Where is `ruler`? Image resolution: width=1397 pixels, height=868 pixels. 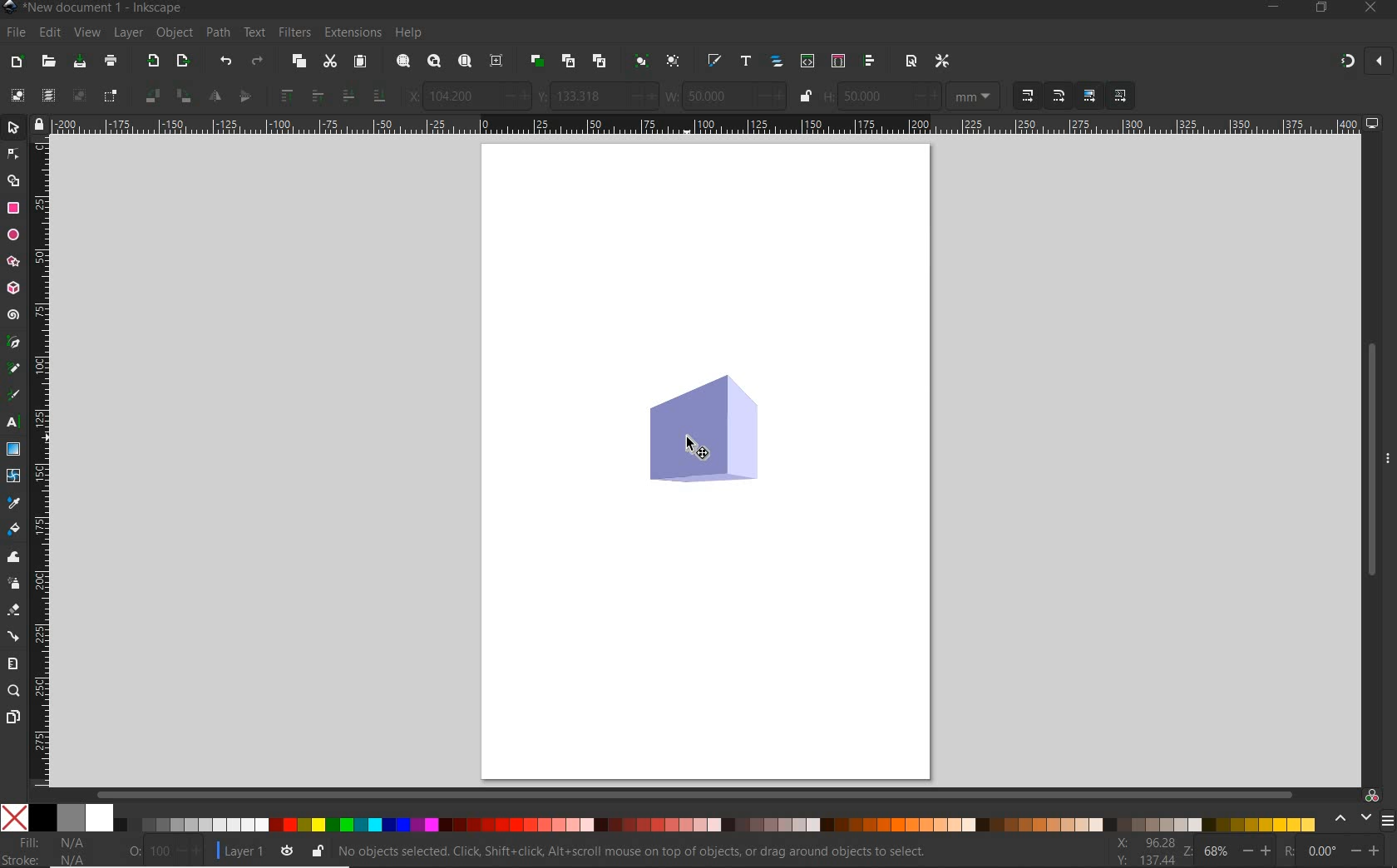
ruler is located at coordinates (705, 125).